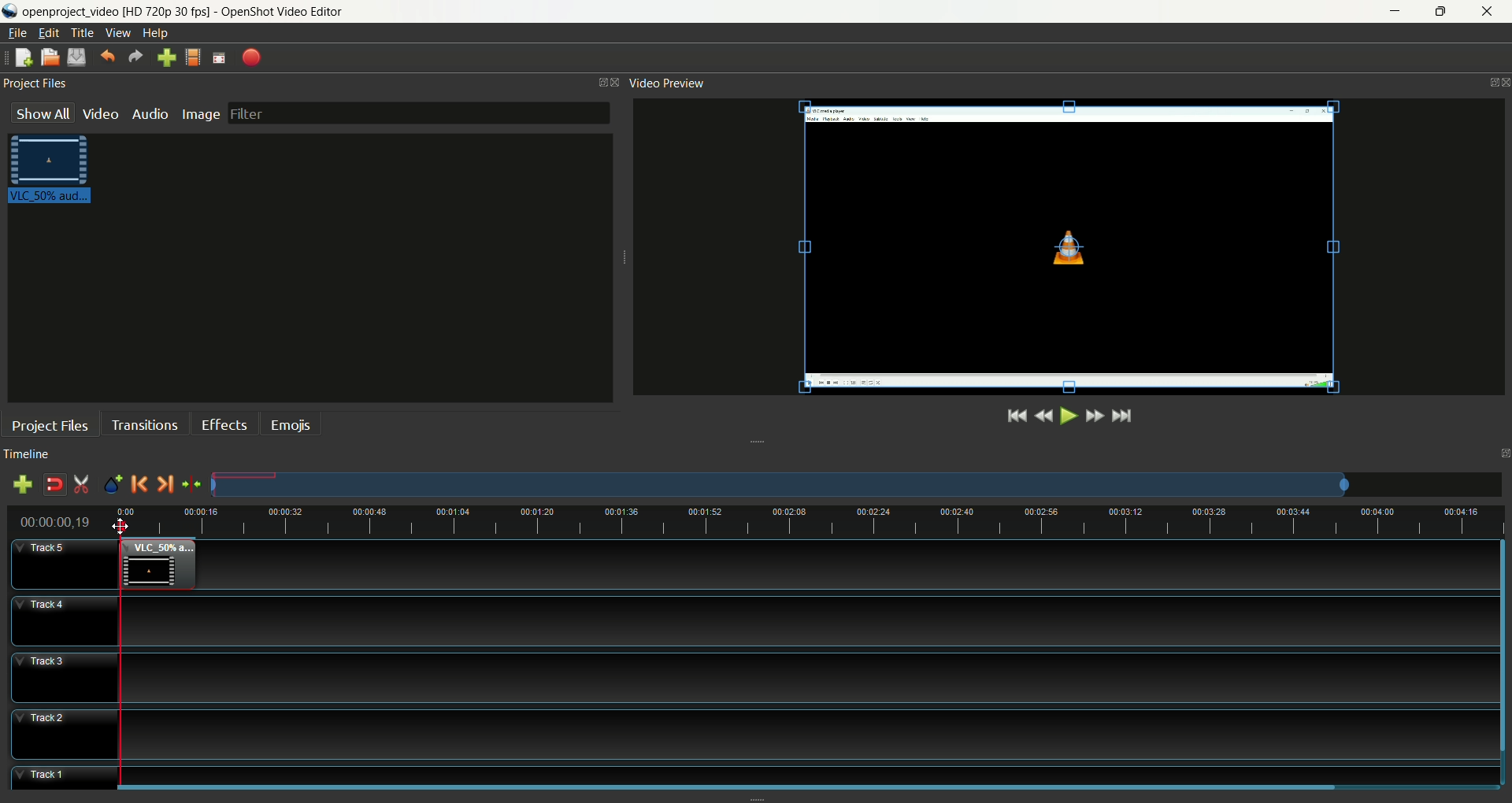  Describe the element at coordinates (165, 485) in the screenshot. I see `next marker` at that location.